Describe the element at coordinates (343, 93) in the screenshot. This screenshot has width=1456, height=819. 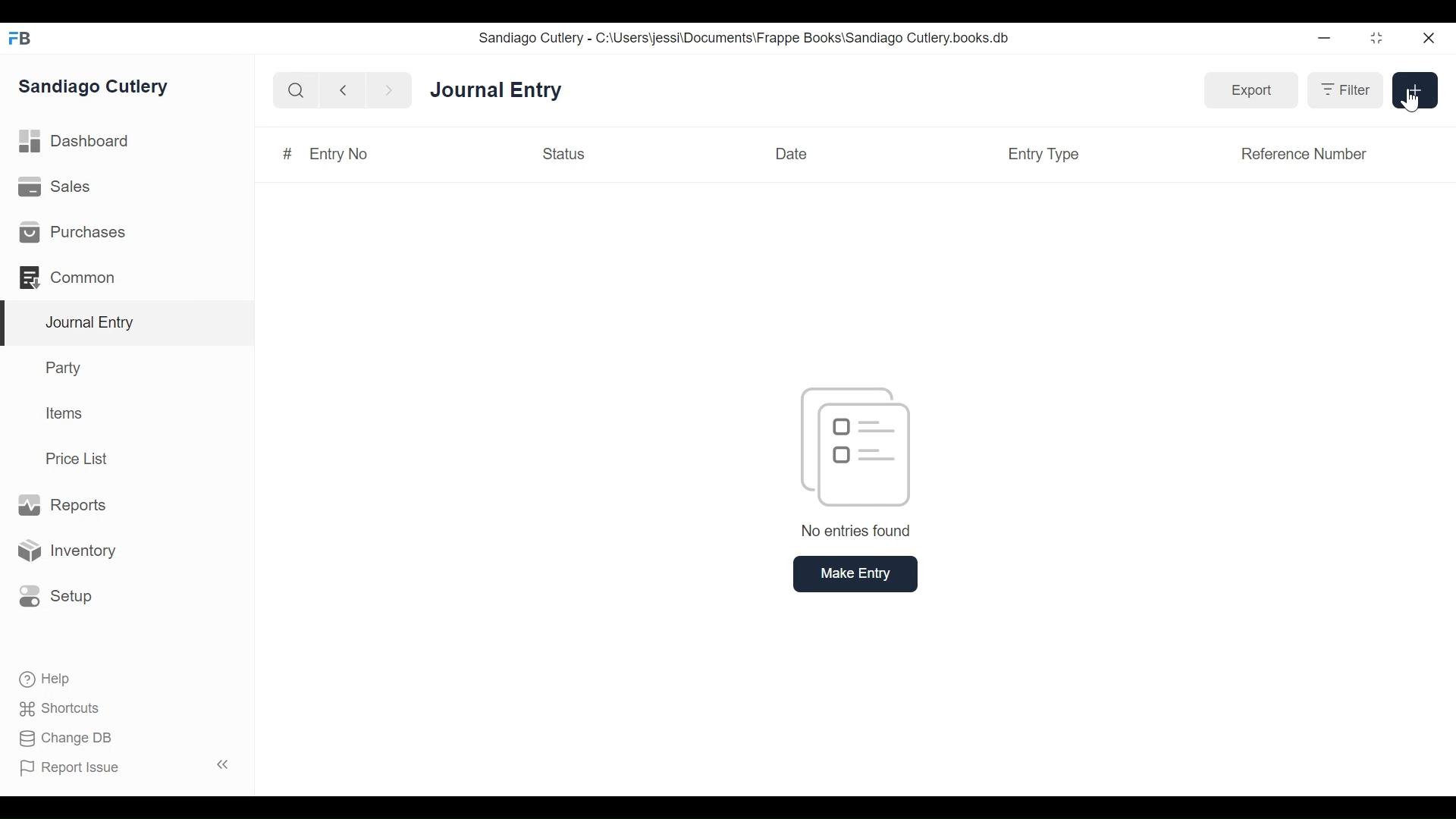
I see `Navigate back` at that location.